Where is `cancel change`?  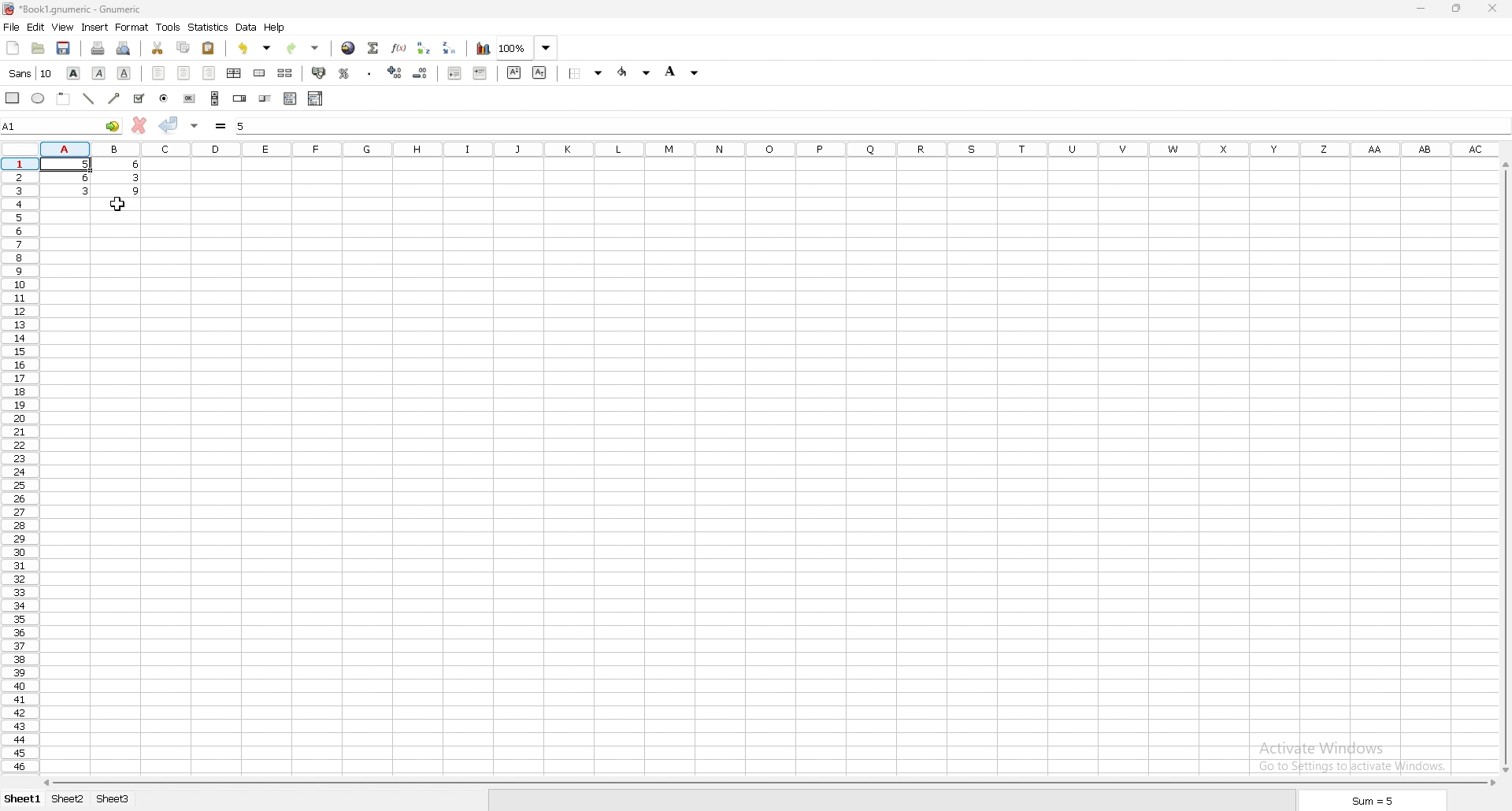 cancel change is located at coordinates (138, 127).